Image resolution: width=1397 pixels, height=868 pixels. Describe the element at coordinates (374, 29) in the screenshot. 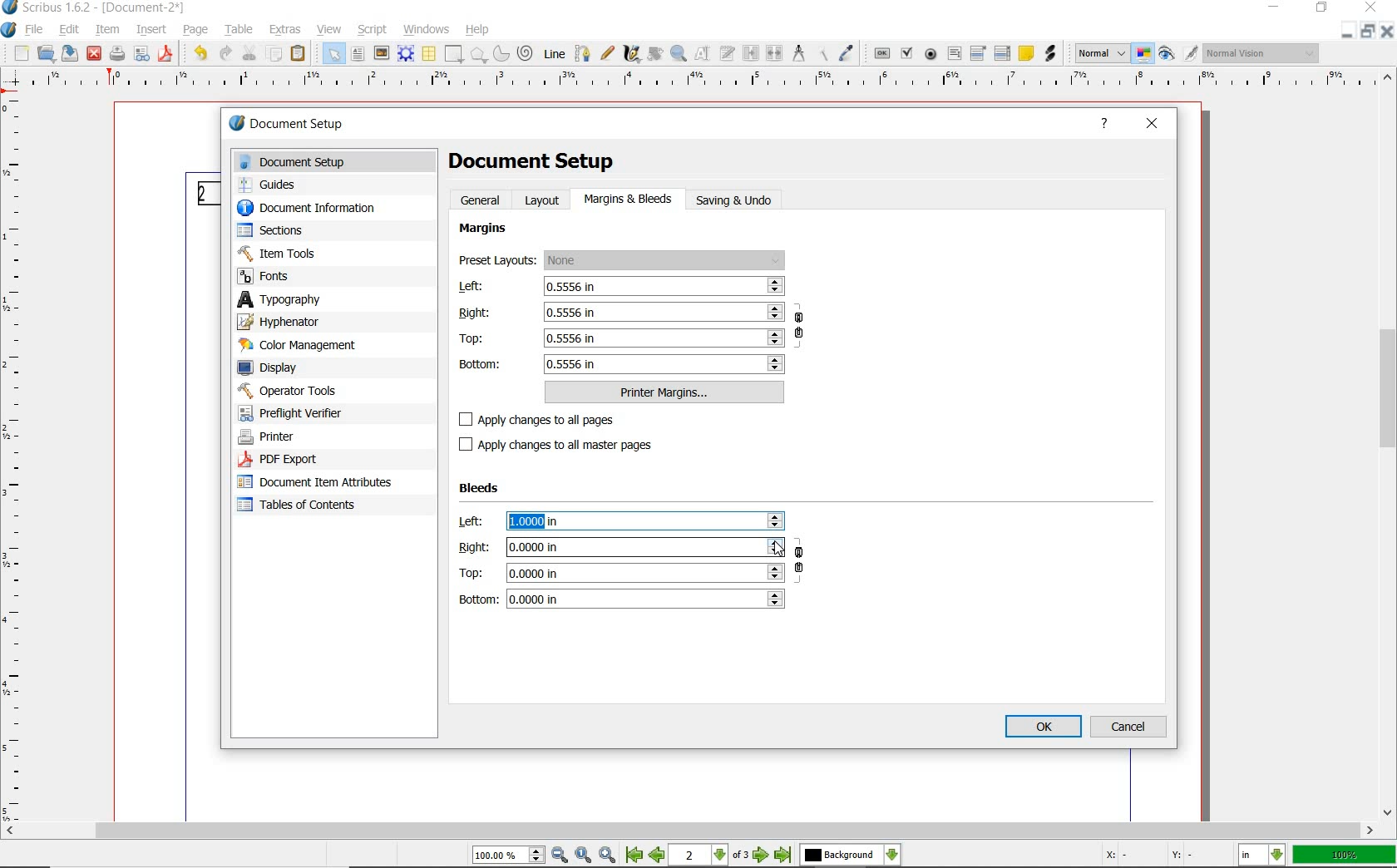

I see `script` at that location.